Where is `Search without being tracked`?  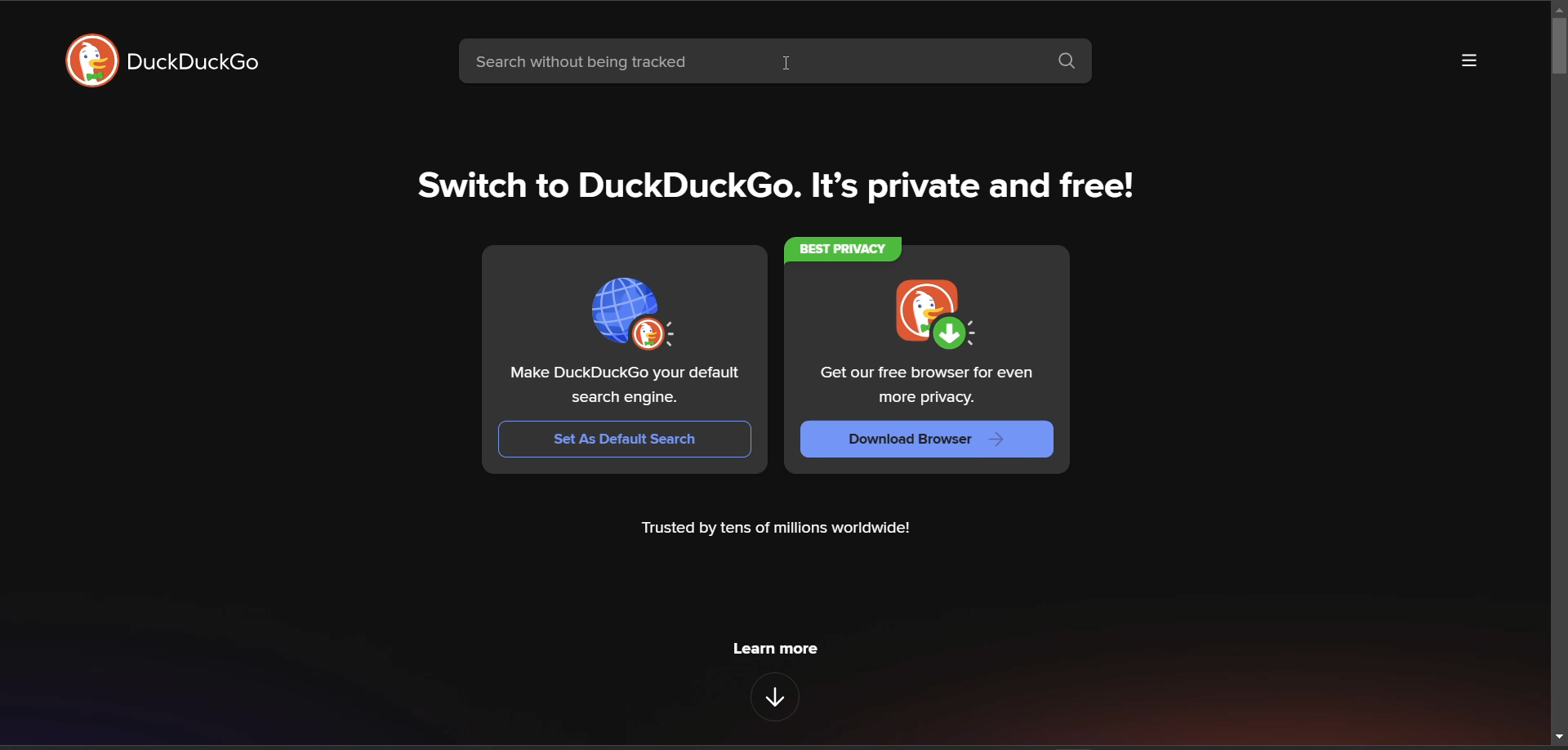 Search without being tracked is located at coordinates (747, 65).